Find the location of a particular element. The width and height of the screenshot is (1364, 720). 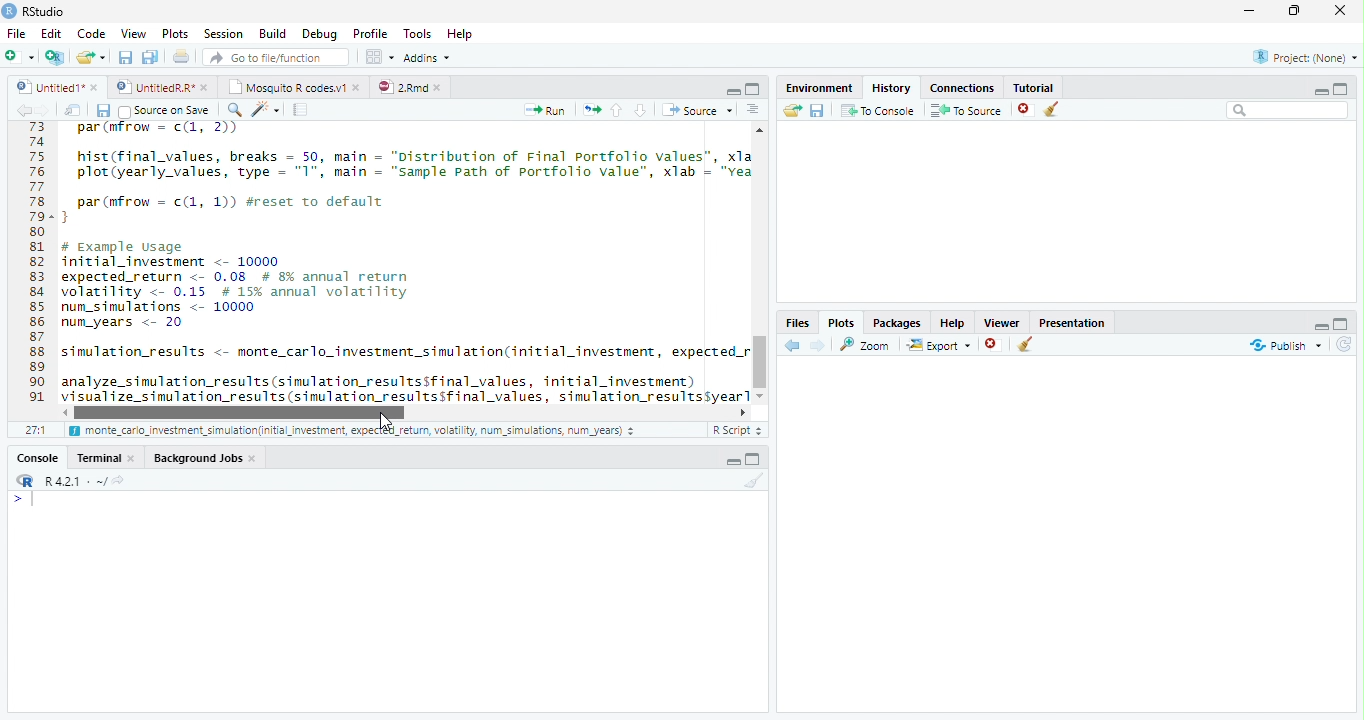

Console is located at coordinates (387, 601).